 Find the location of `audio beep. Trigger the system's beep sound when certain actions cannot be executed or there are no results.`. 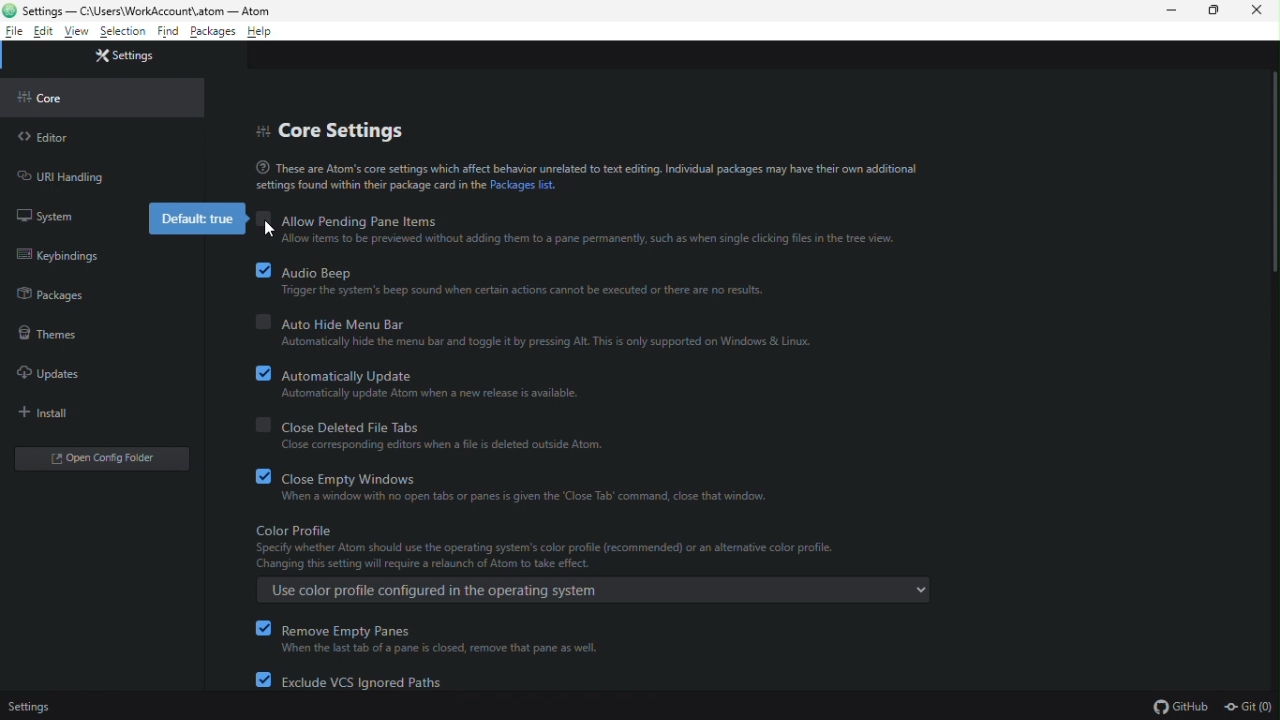

audio beep. Trigger the system's beep sound when certain actions cannot be executed or there are no results. is located at coordinates (509, 282).